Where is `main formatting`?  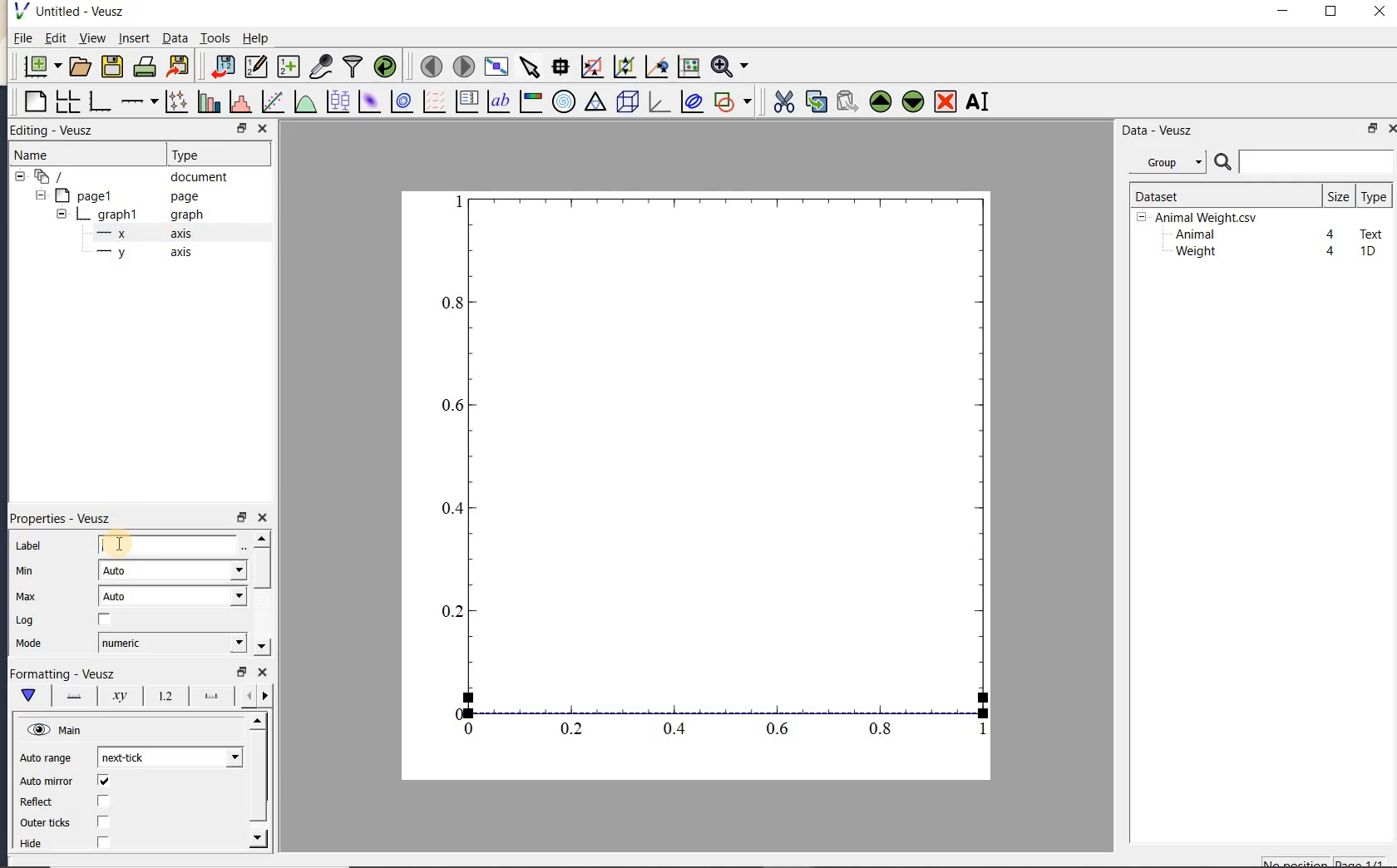
main formatting is located at coordinates (27, 695).